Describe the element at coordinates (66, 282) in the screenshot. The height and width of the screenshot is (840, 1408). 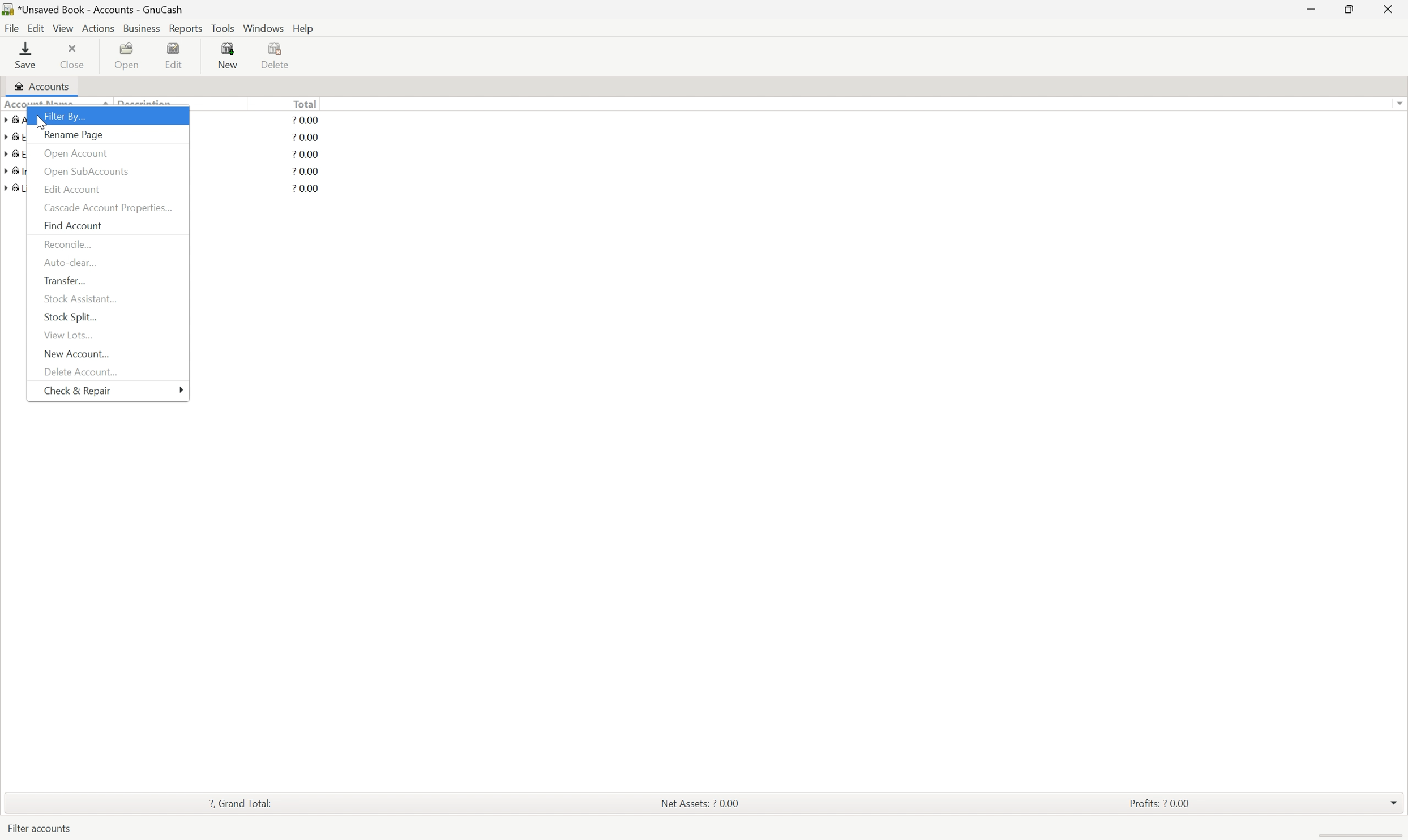
I see `Transfer` at that location.